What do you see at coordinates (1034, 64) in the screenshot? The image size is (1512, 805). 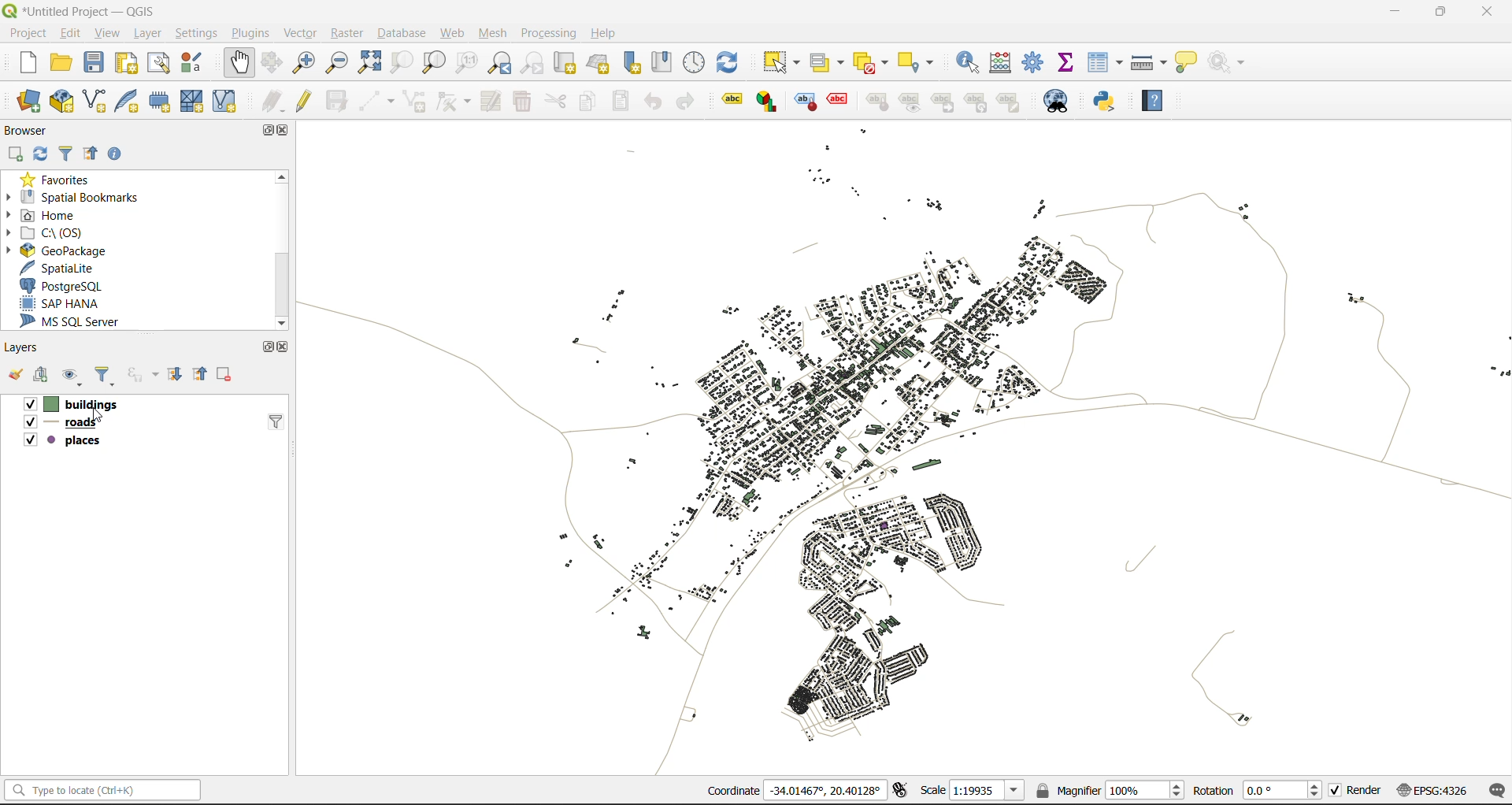 I see `toolbox` at bounding box center [1034, 64].